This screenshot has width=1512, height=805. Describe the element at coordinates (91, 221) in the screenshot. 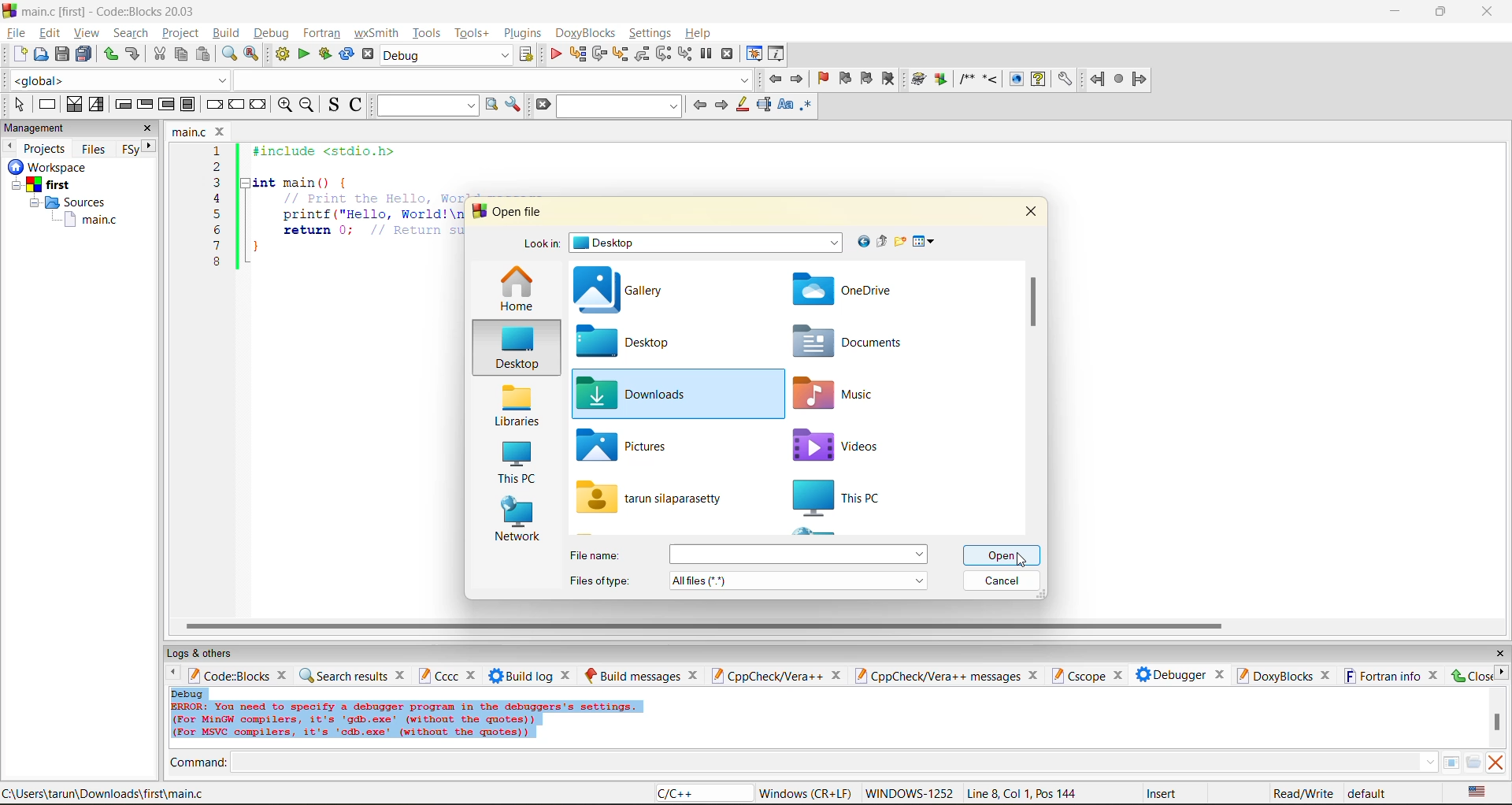

I see `main.c file` at that location.